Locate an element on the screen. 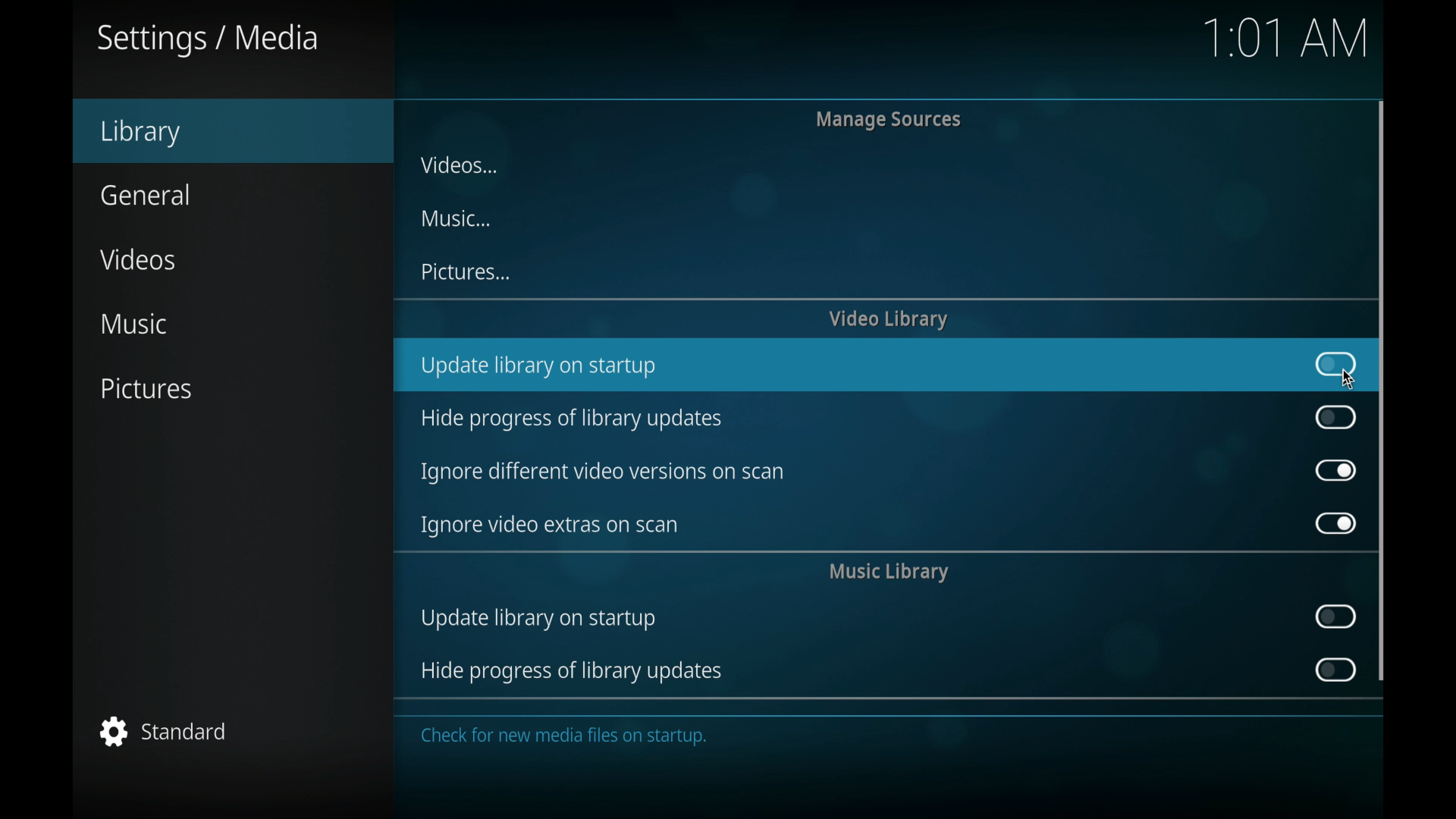  cursor is located at coordinates (1351, 378).